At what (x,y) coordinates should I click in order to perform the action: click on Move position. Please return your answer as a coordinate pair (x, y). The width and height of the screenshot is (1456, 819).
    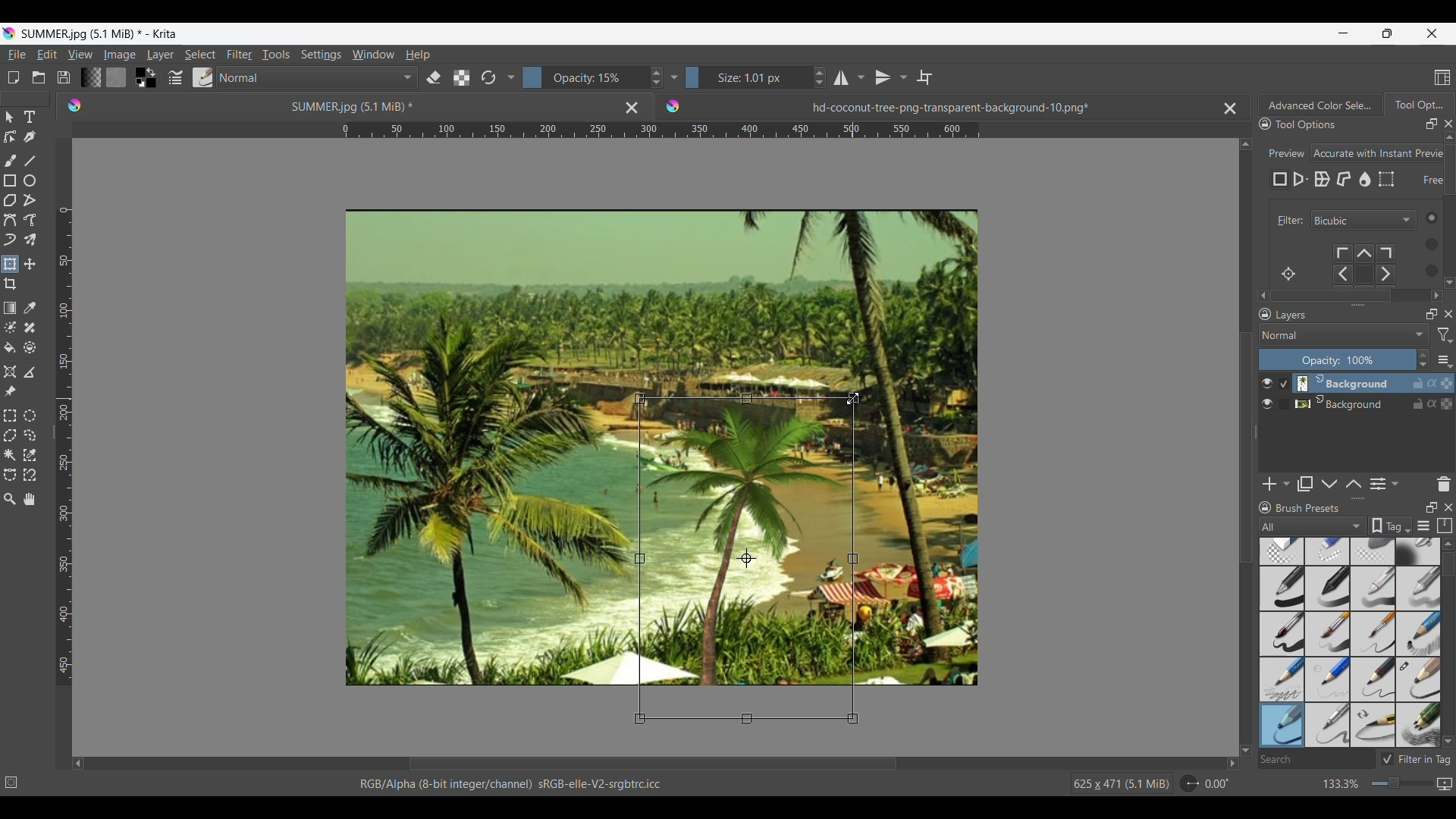
    Looking at the image, I should click on (30, 264).